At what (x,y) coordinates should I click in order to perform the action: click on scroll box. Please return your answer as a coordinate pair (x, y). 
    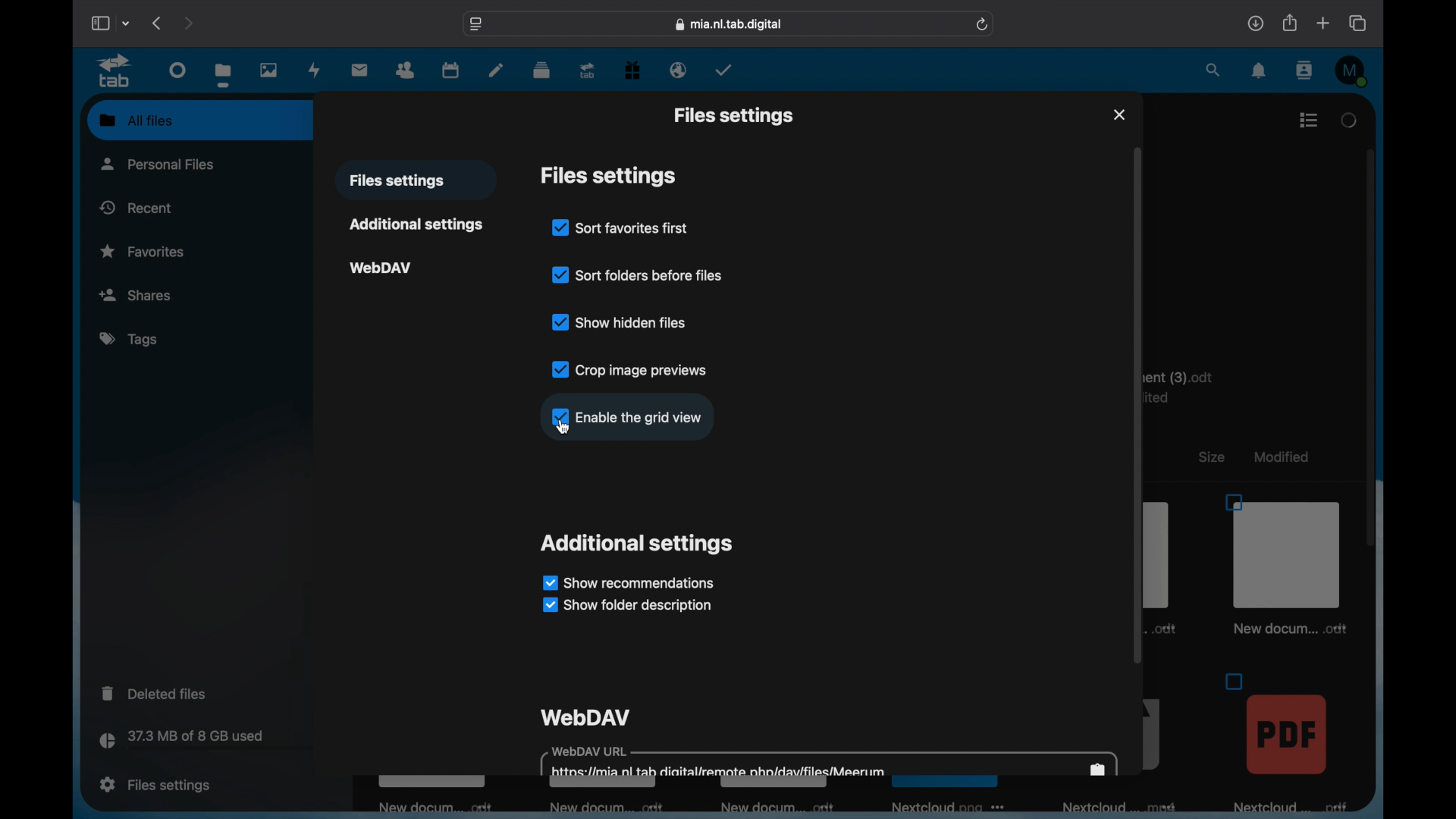
    Looking at the image, I should click on (1373, 347).